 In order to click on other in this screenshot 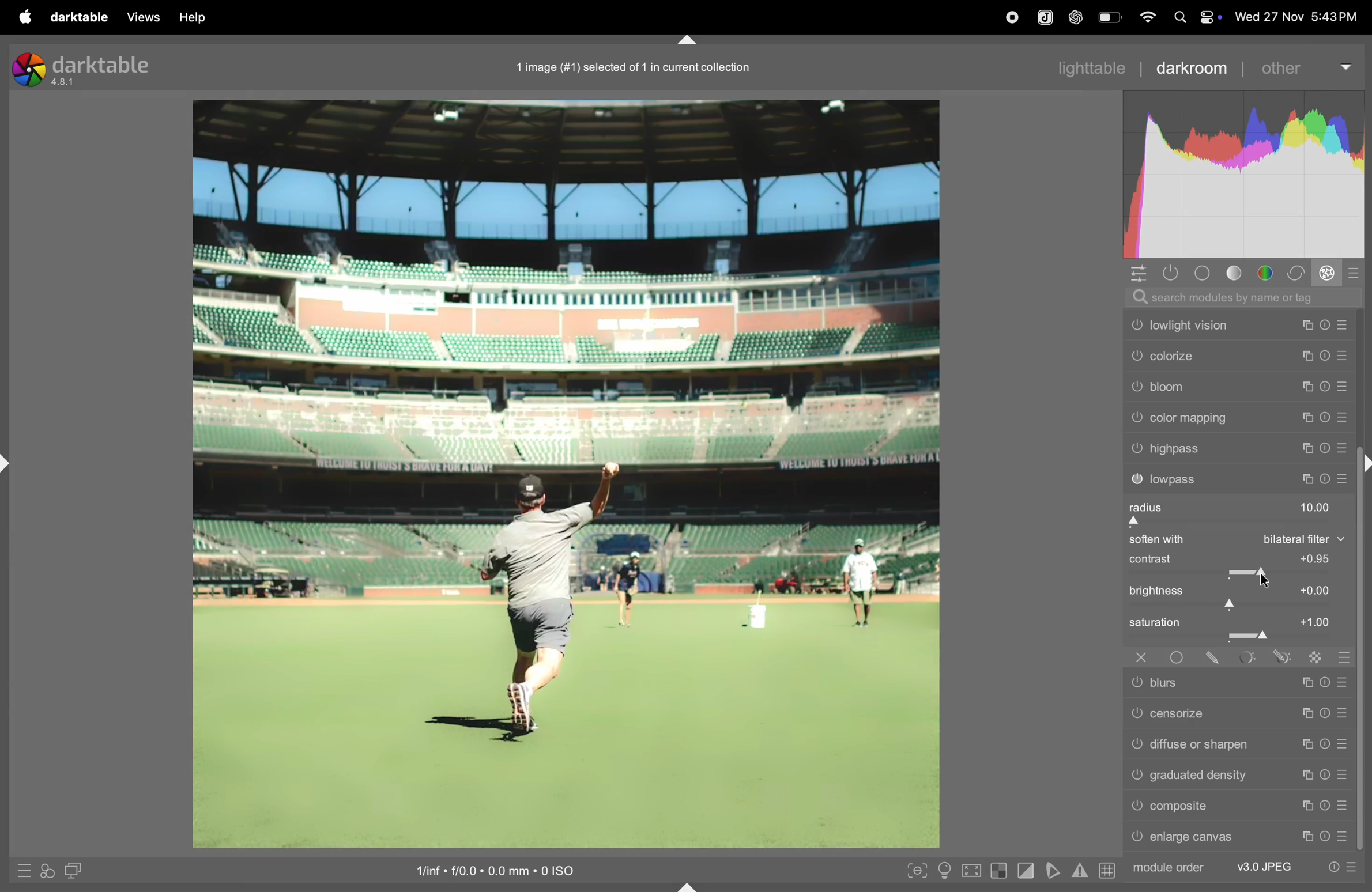, I will do `click(1305, 66)`.